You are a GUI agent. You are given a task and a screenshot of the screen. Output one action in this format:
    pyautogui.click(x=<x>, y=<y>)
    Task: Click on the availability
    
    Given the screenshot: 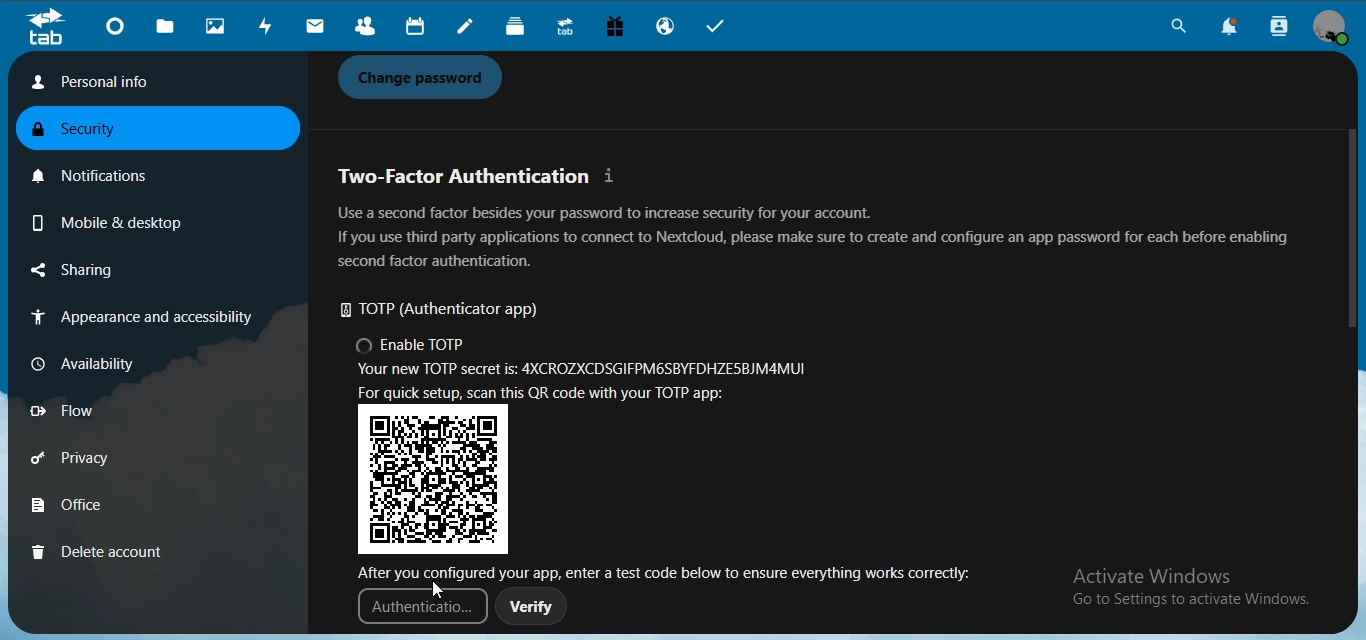 What is the action you would take?
    pyautogui.click(x=94, y=362)
    